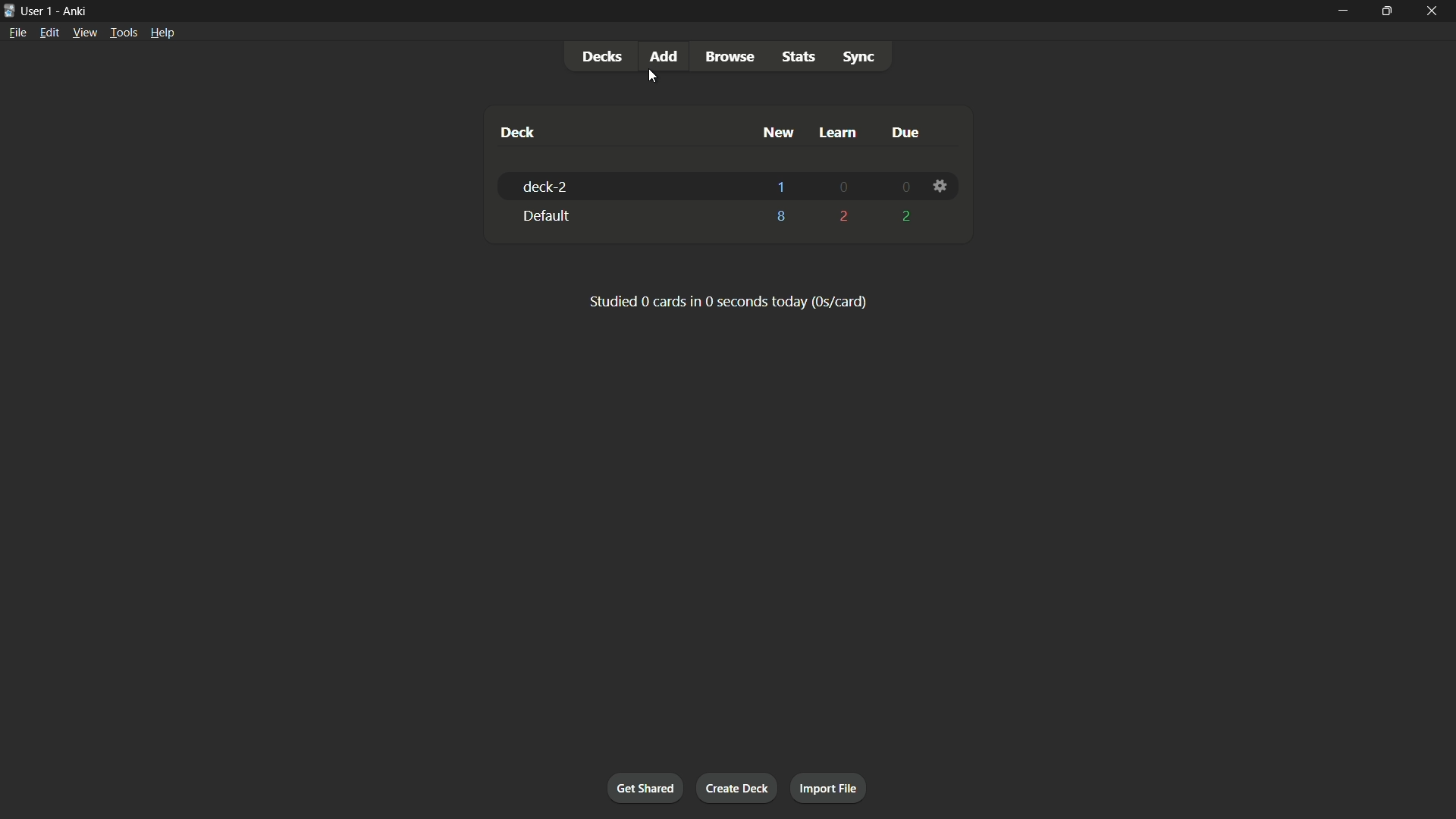  I want to click on 2, so click(846, 216).